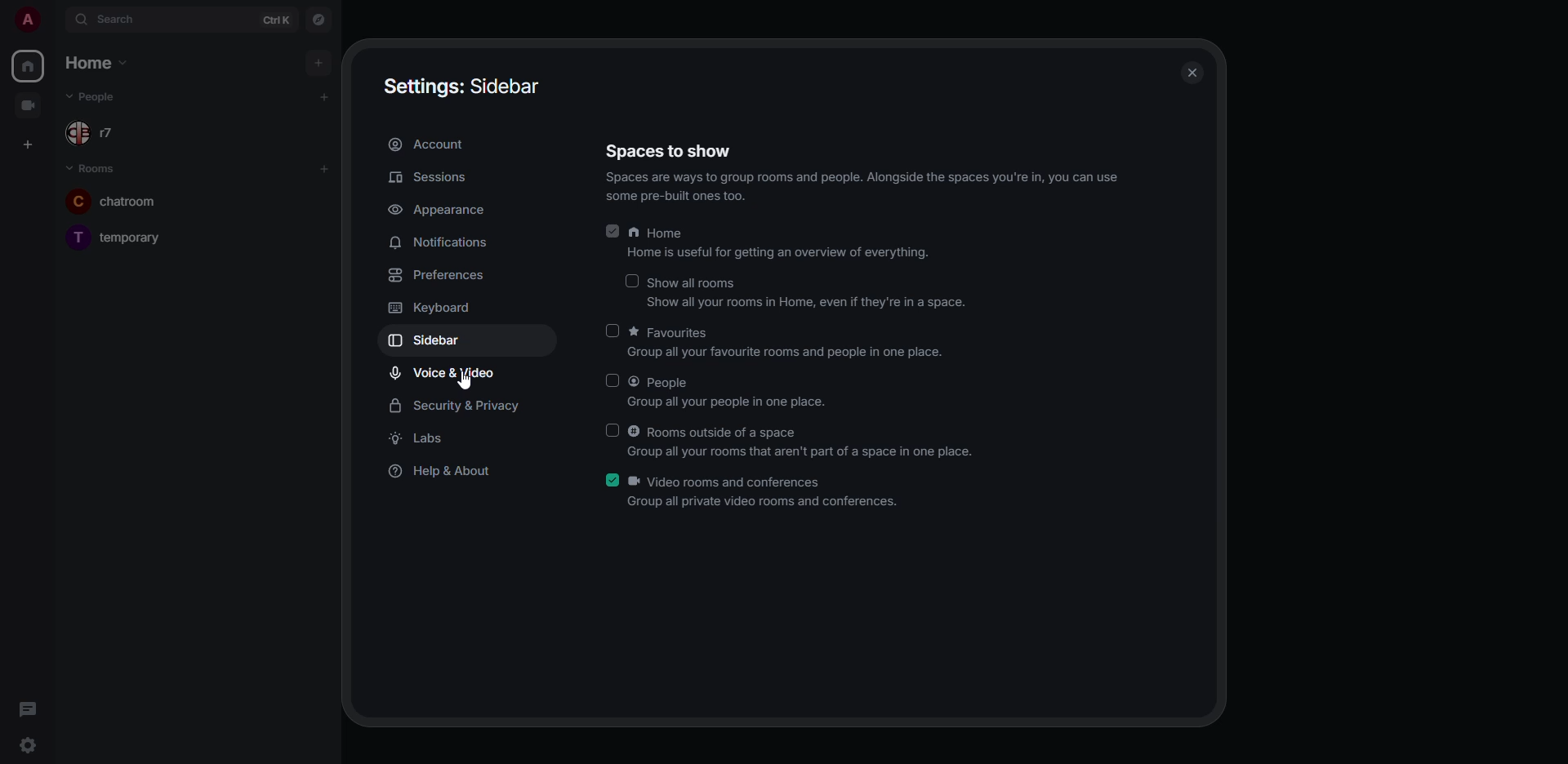 The width and height of the screenshot is (1568, 764). What do you see at coordinates (25, 744) in the screenshot?
I see `quick settings` at bounding box center [25, 744].